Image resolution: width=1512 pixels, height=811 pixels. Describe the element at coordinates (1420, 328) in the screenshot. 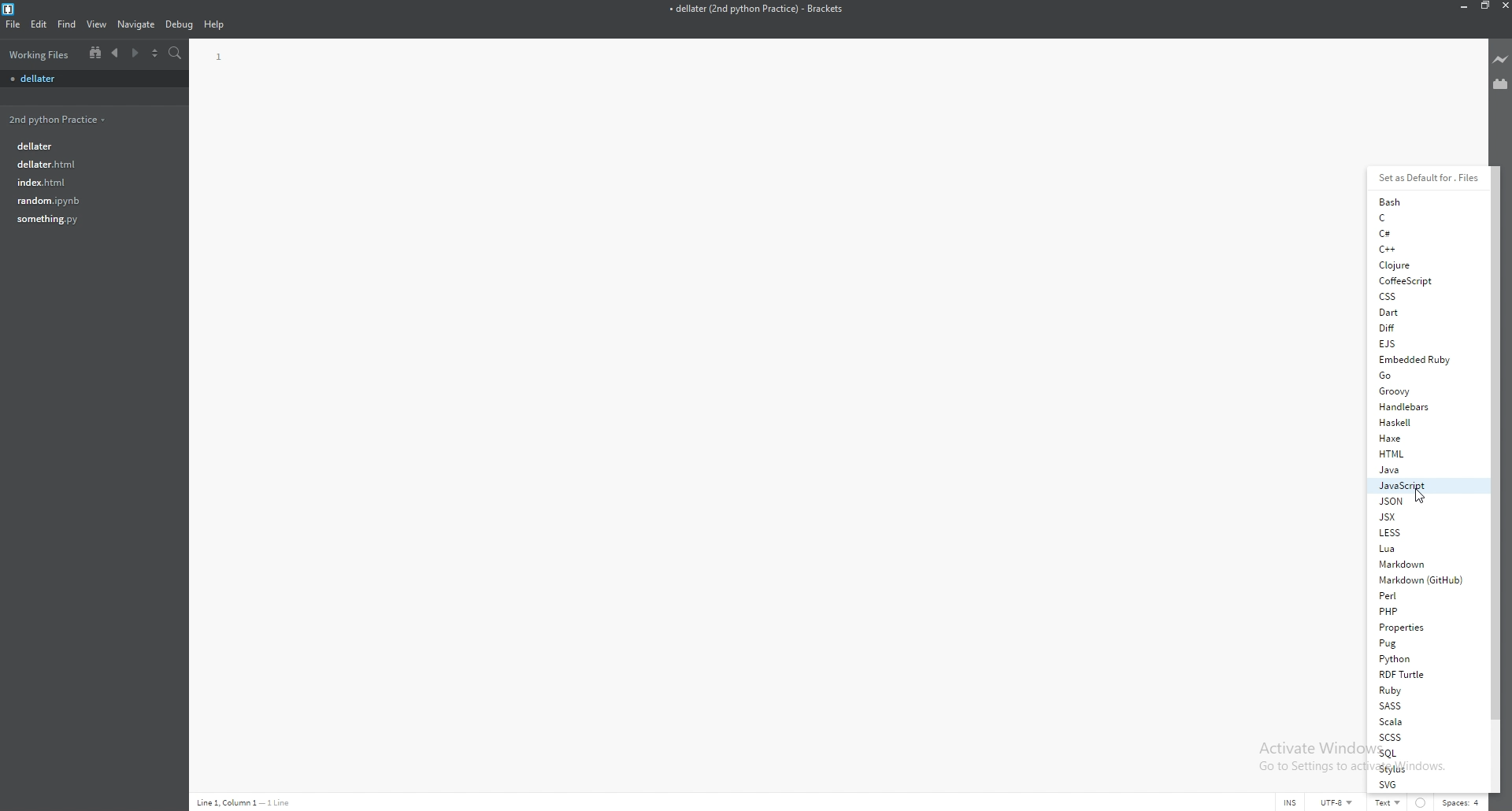

I see `diff` at that location.